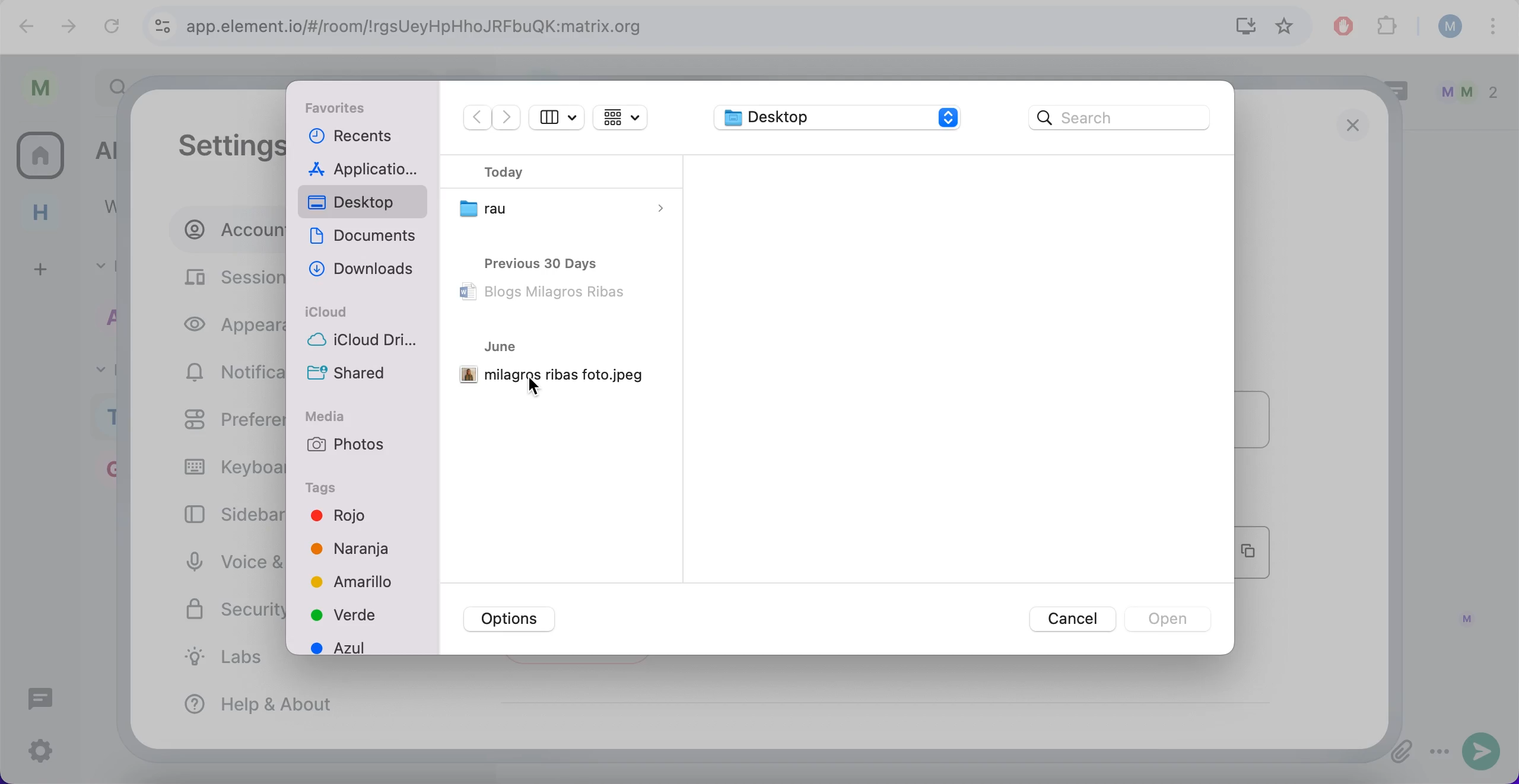 This screenshot has width=1519, height=784. I want to click on more options, so click(1492, 26).